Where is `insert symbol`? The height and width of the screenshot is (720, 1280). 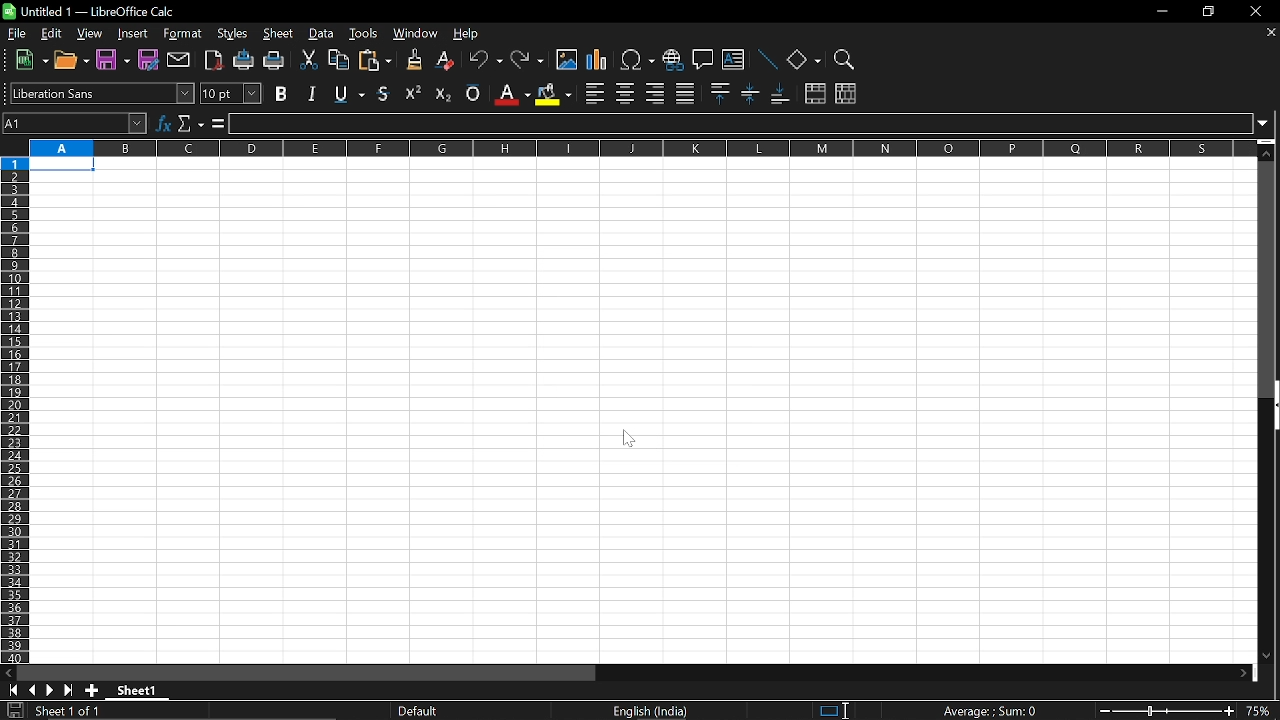 insert symbol is located at coordinates (637, 60).